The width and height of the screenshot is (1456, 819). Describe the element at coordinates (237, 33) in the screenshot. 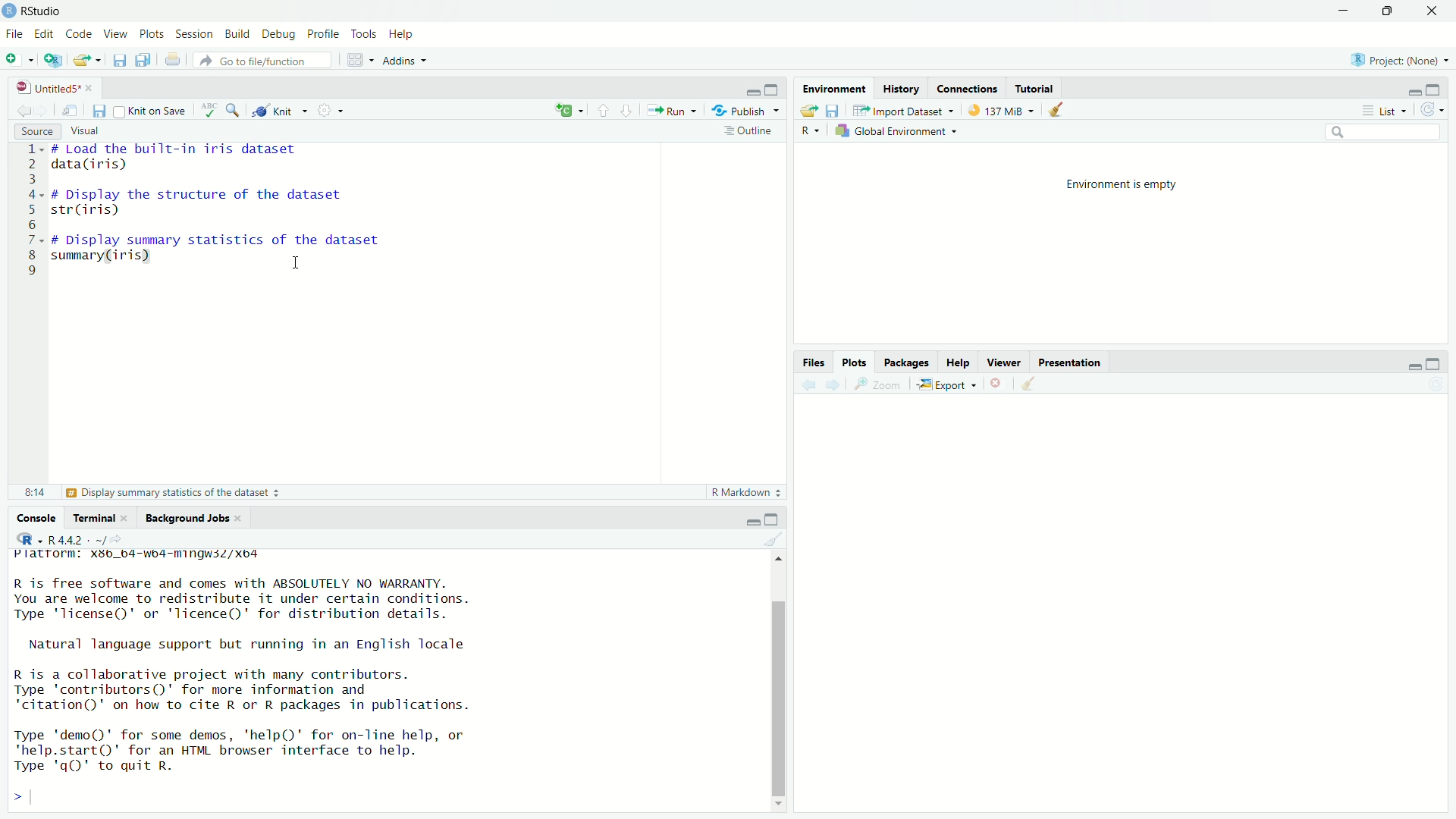

I see `Build` at that location.